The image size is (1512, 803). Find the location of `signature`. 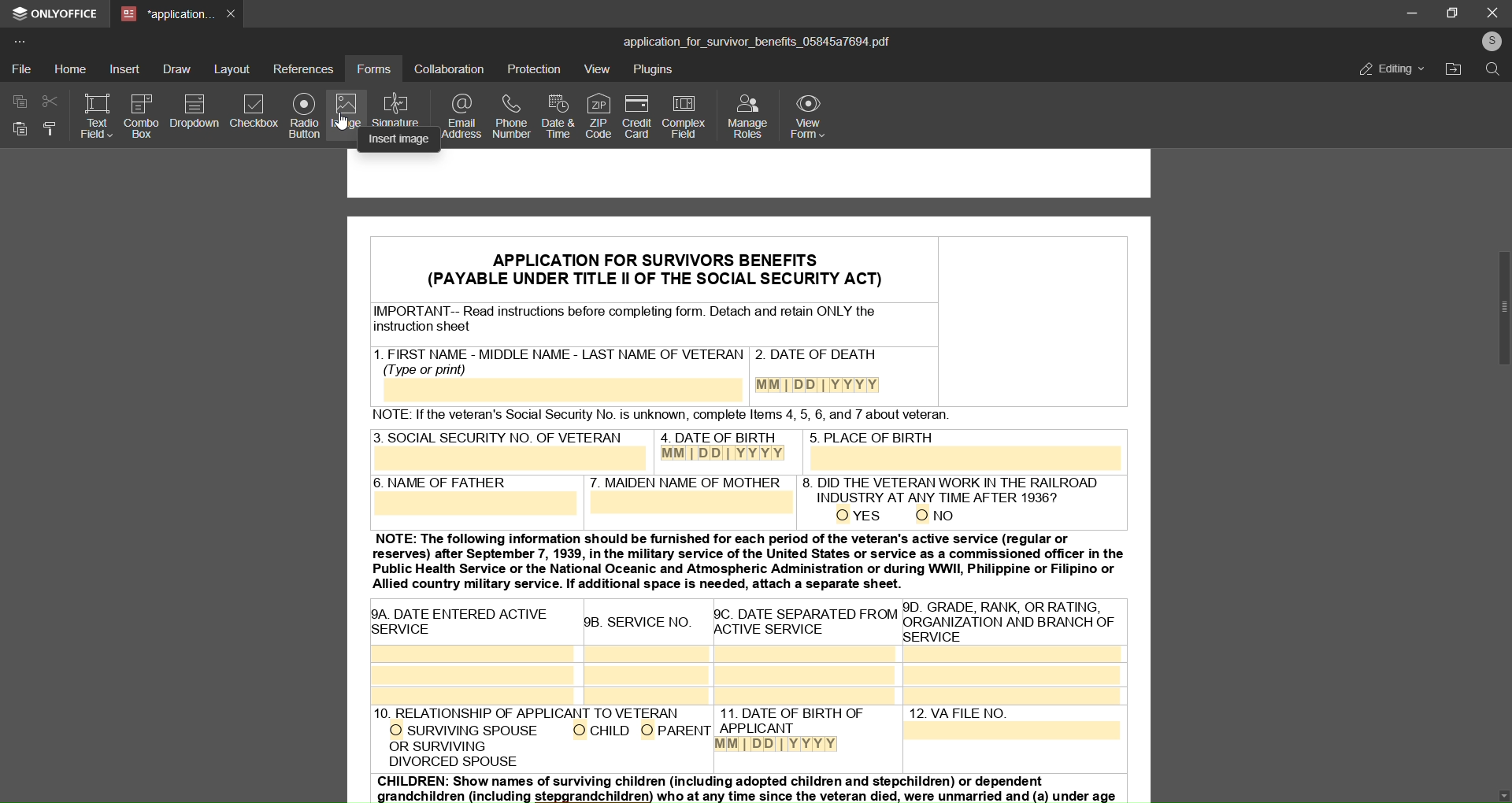

signature is located at coordinates (400, 108).